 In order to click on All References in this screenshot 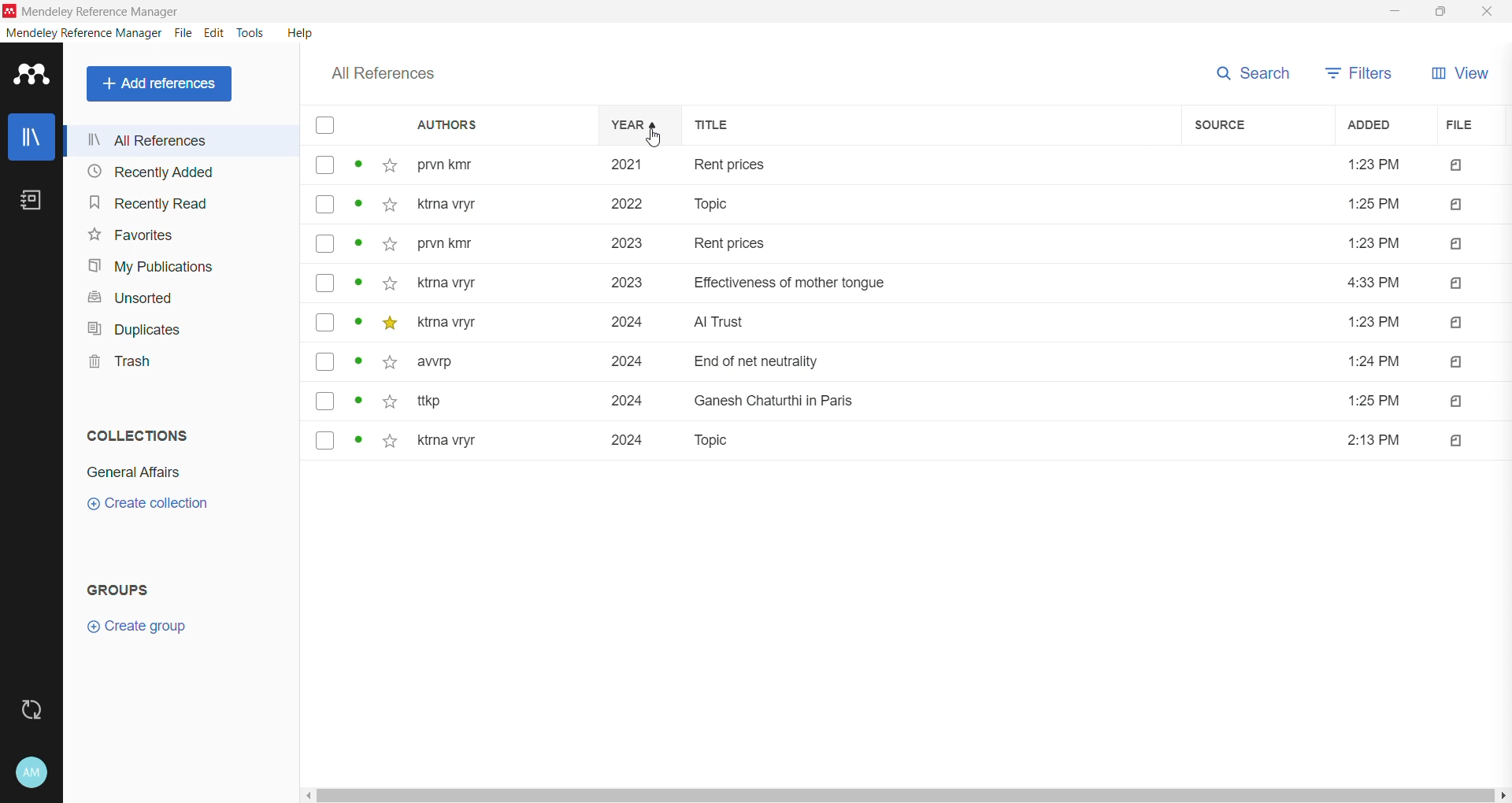, I will do `click(182, 139)`.